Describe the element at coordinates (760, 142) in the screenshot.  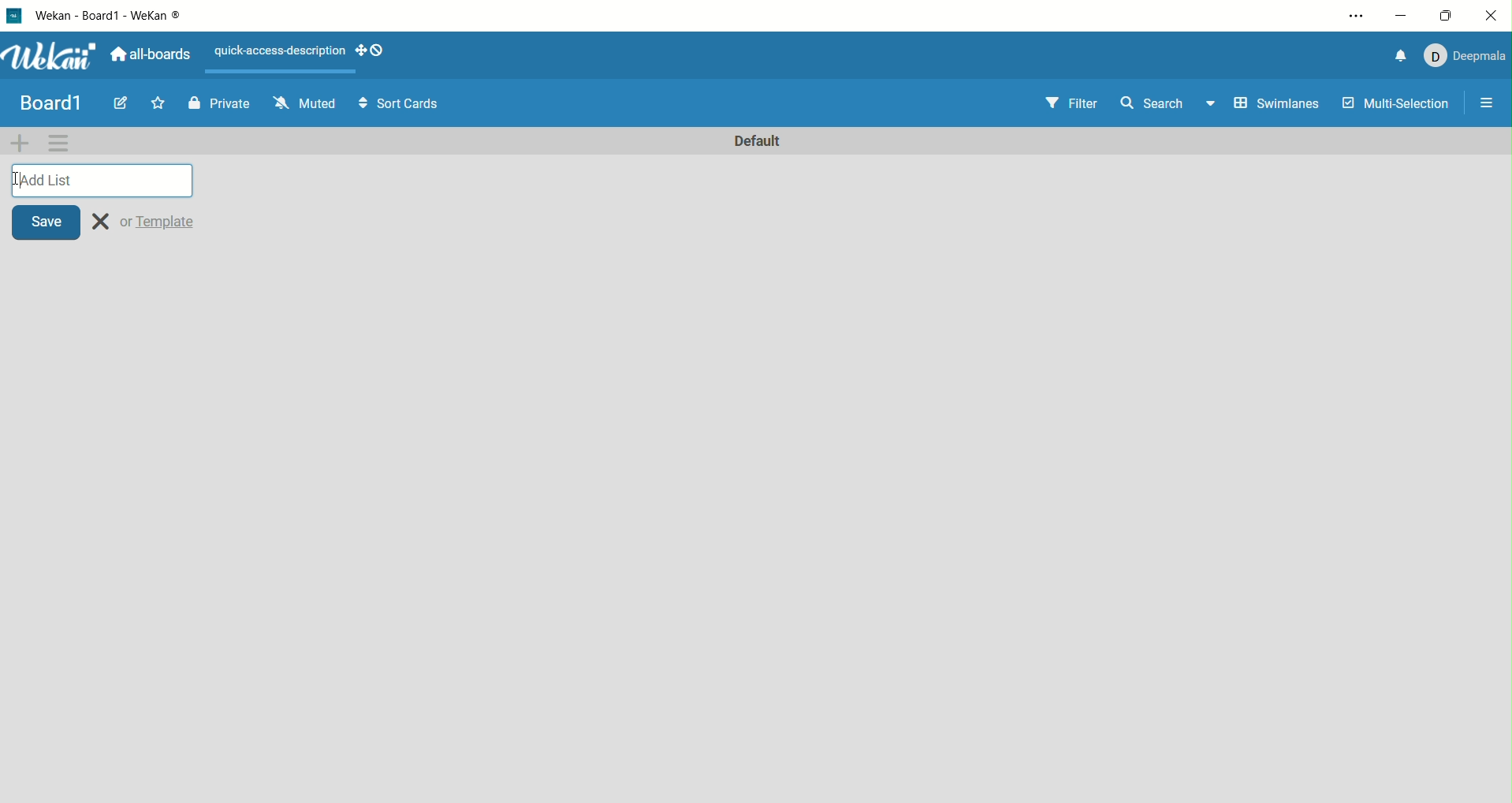
I see `default` at that location.